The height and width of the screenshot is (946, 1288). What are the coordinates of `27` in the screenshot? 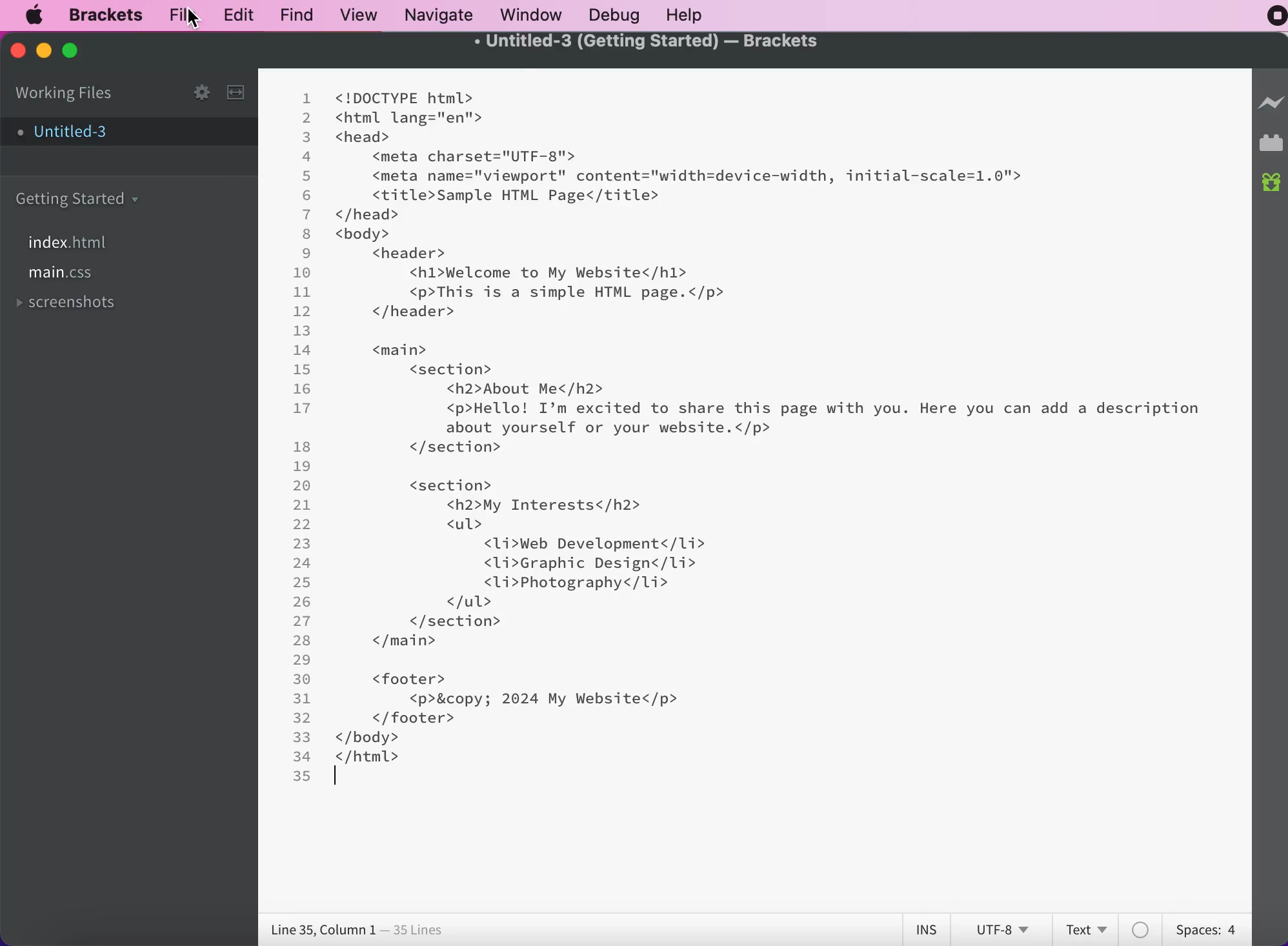 It's located at (302, 621).